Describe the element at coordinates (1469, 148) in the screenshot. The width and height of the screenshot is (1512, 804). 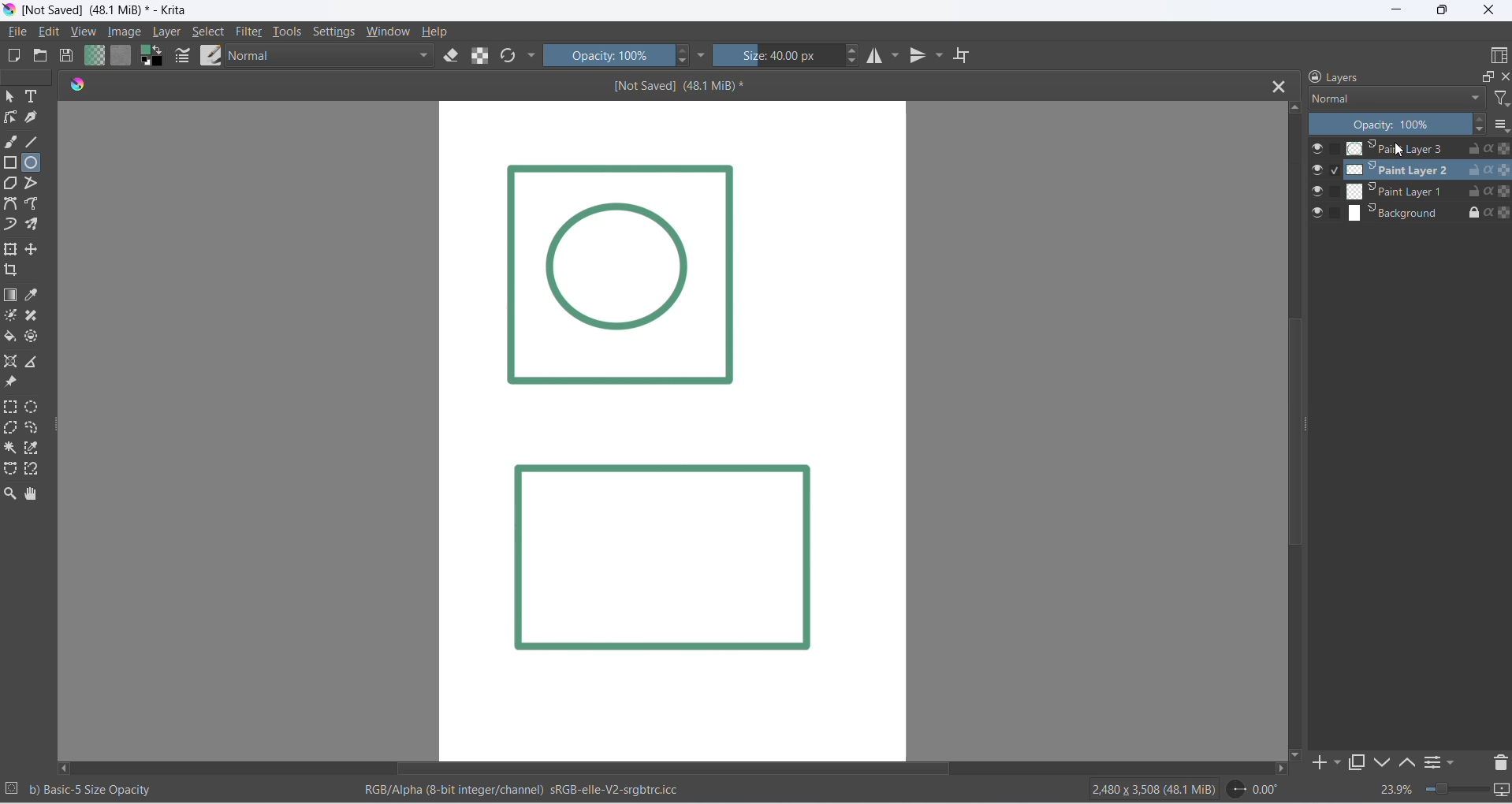
I see `unlock` at that location.